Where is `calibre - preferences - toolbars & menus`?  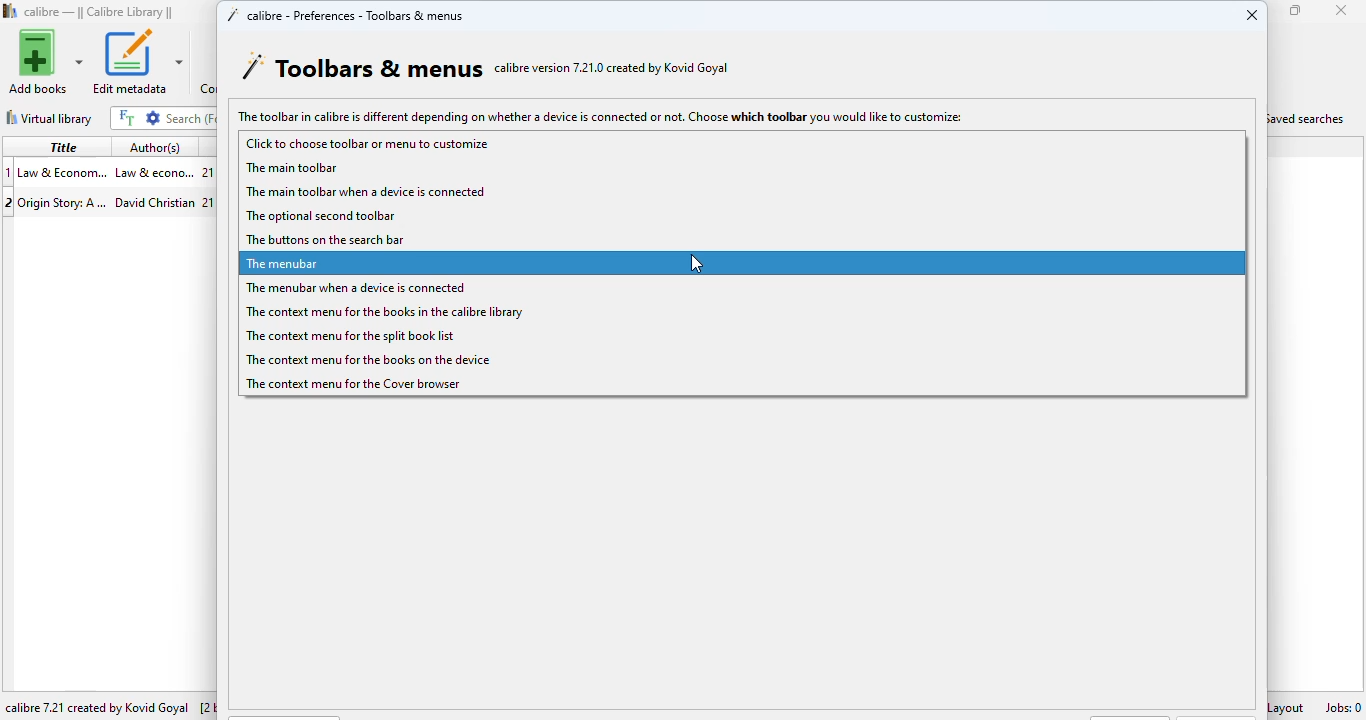 calibre - preferences - toolbars & menus is located at coordinates (344, 14).